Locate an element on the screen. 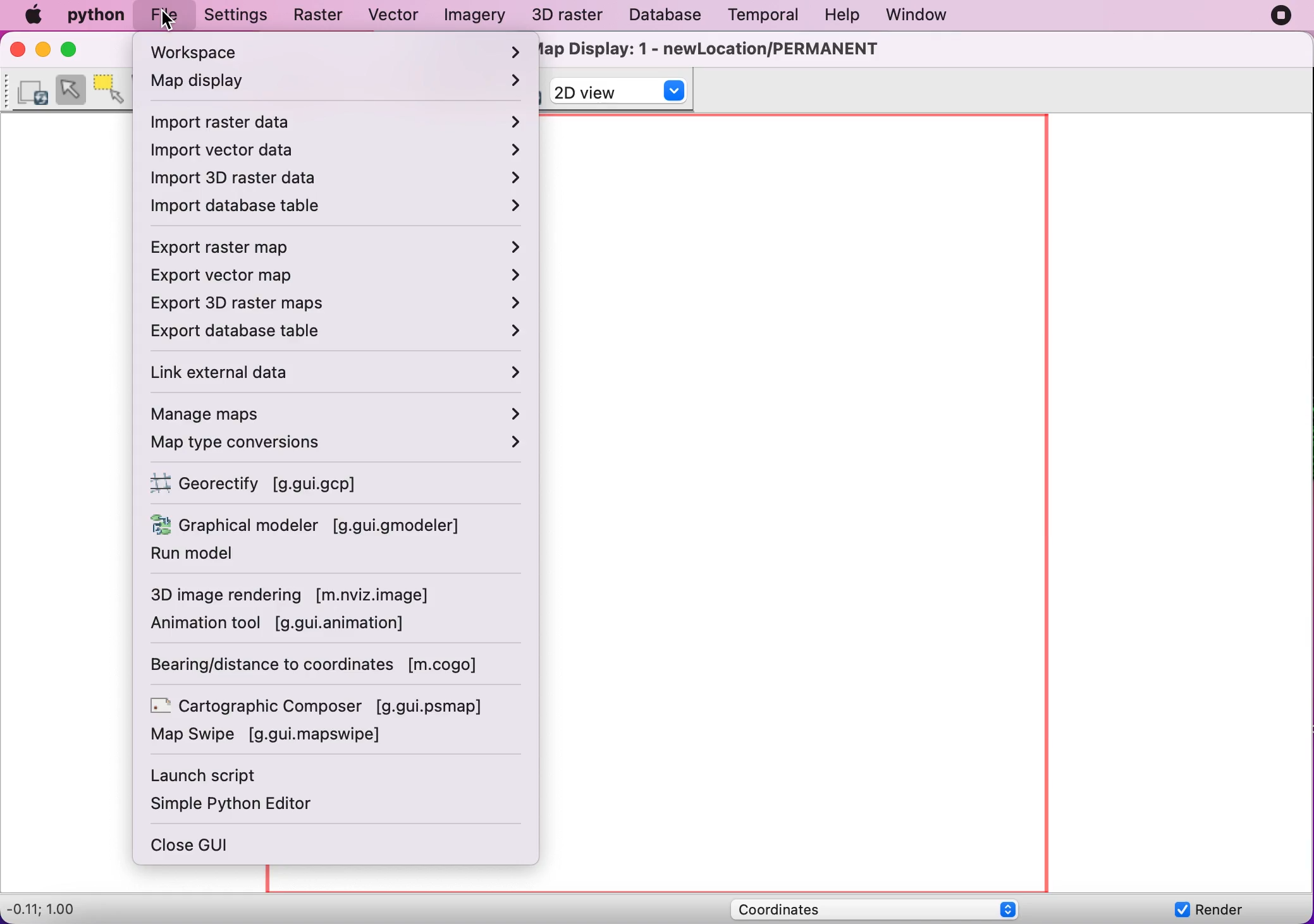  import vector data is located at coordinates (336, 152).